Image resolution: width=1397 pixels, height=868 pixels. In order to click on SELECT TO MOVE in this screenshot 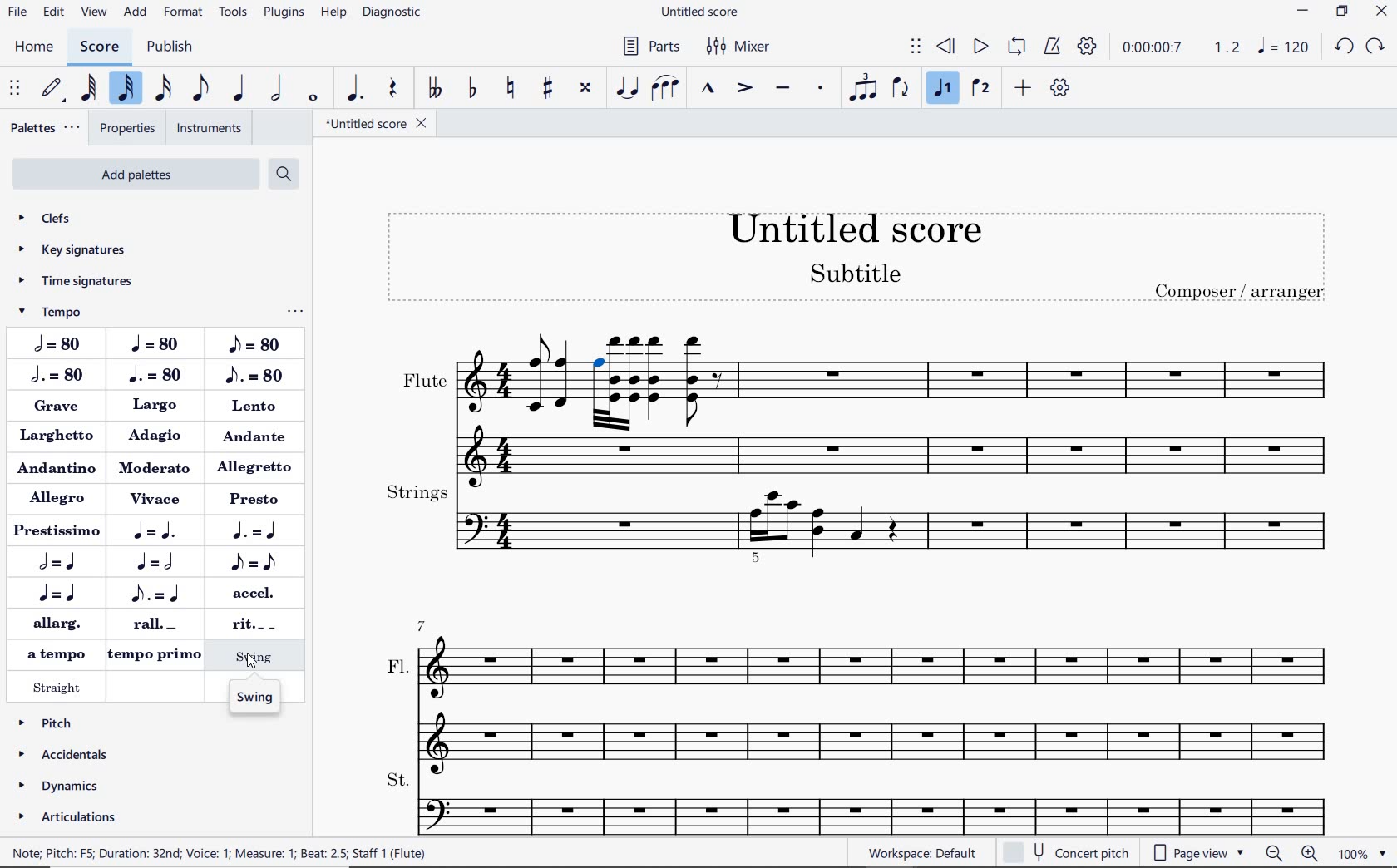, I will do `click(17, 89)`.